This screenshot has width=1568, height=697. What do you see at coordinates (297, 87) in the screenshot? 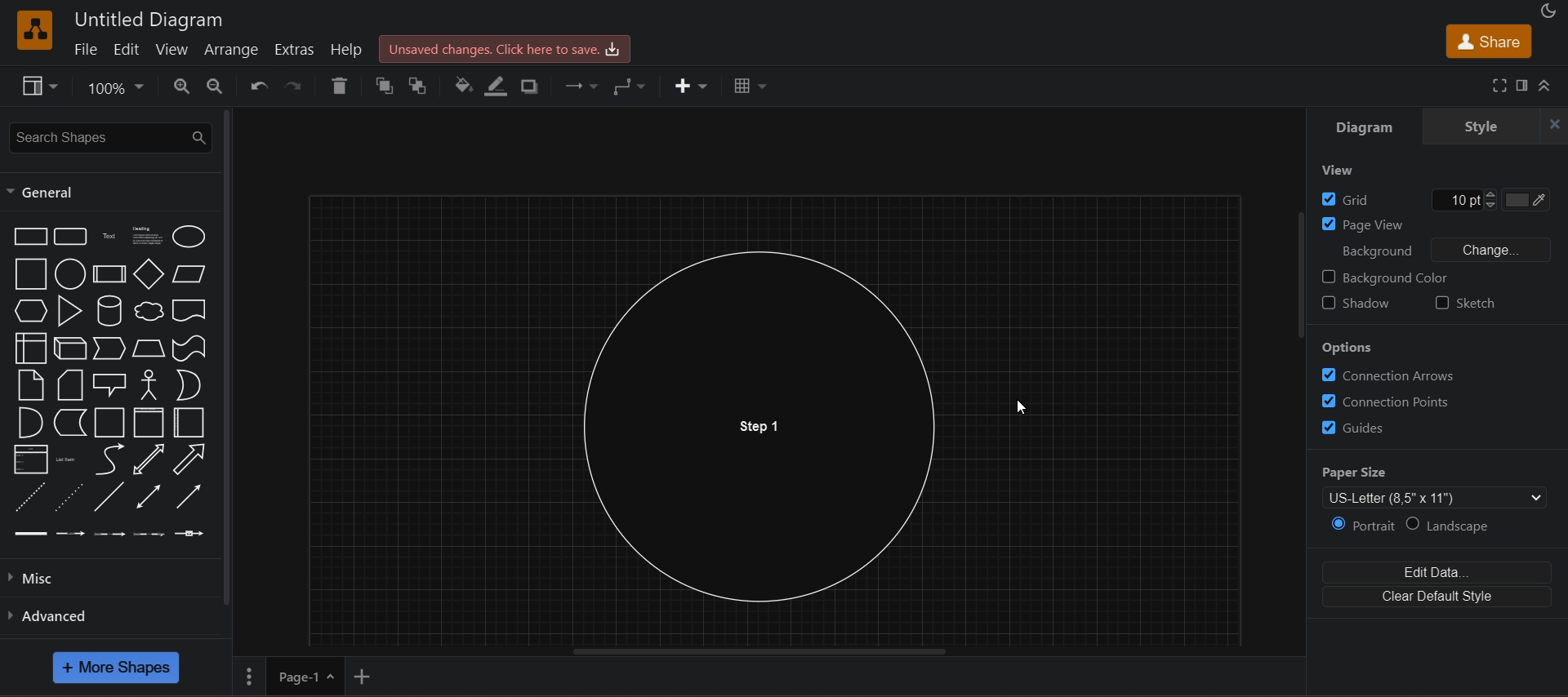
I see `undo` at bounding box center [297, 87].